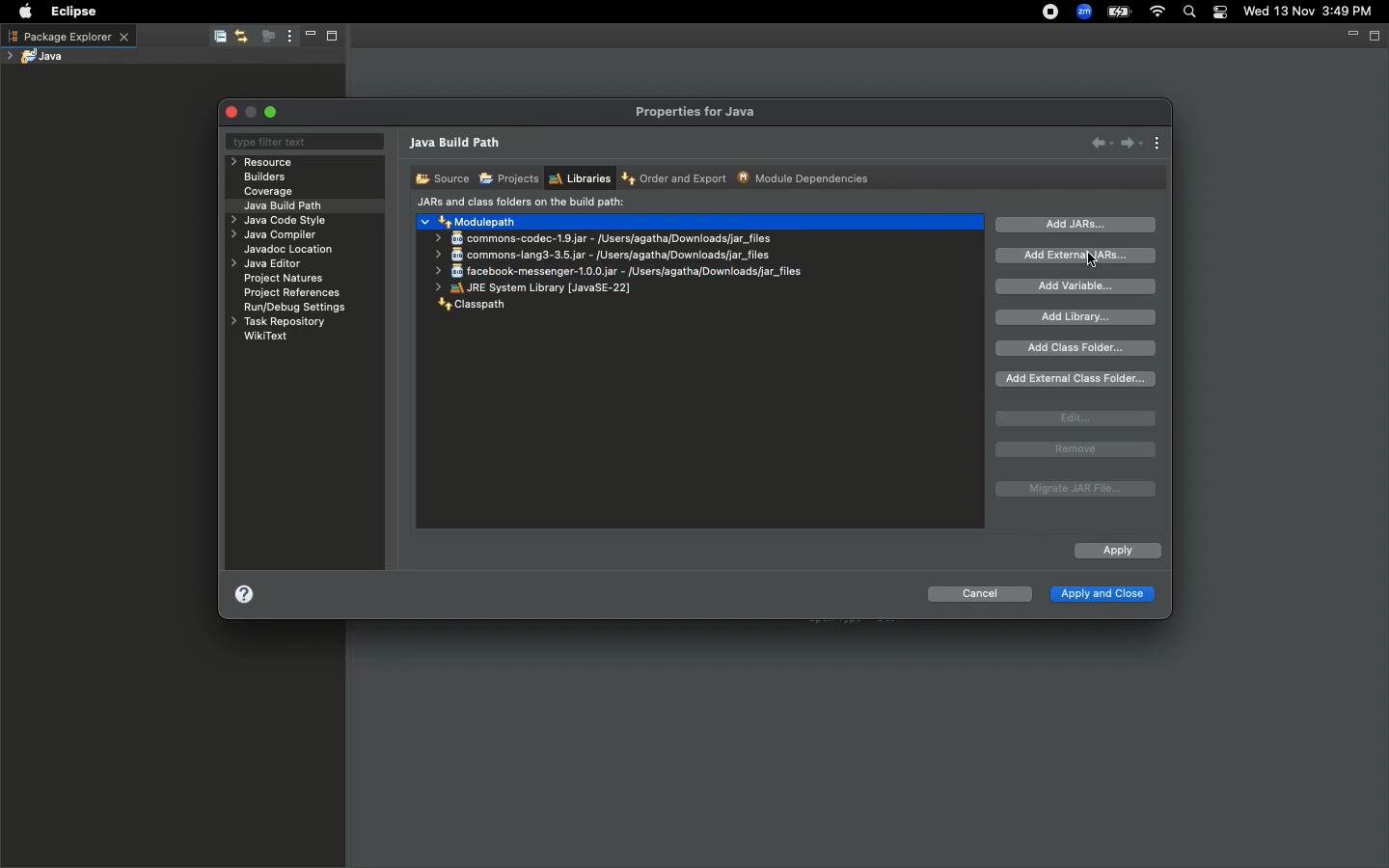 The image size is (1389, 868). What do you see at coordinates (1158, 13) in the screenshot?
I see `Internet` at bounding box center [1158, 13].